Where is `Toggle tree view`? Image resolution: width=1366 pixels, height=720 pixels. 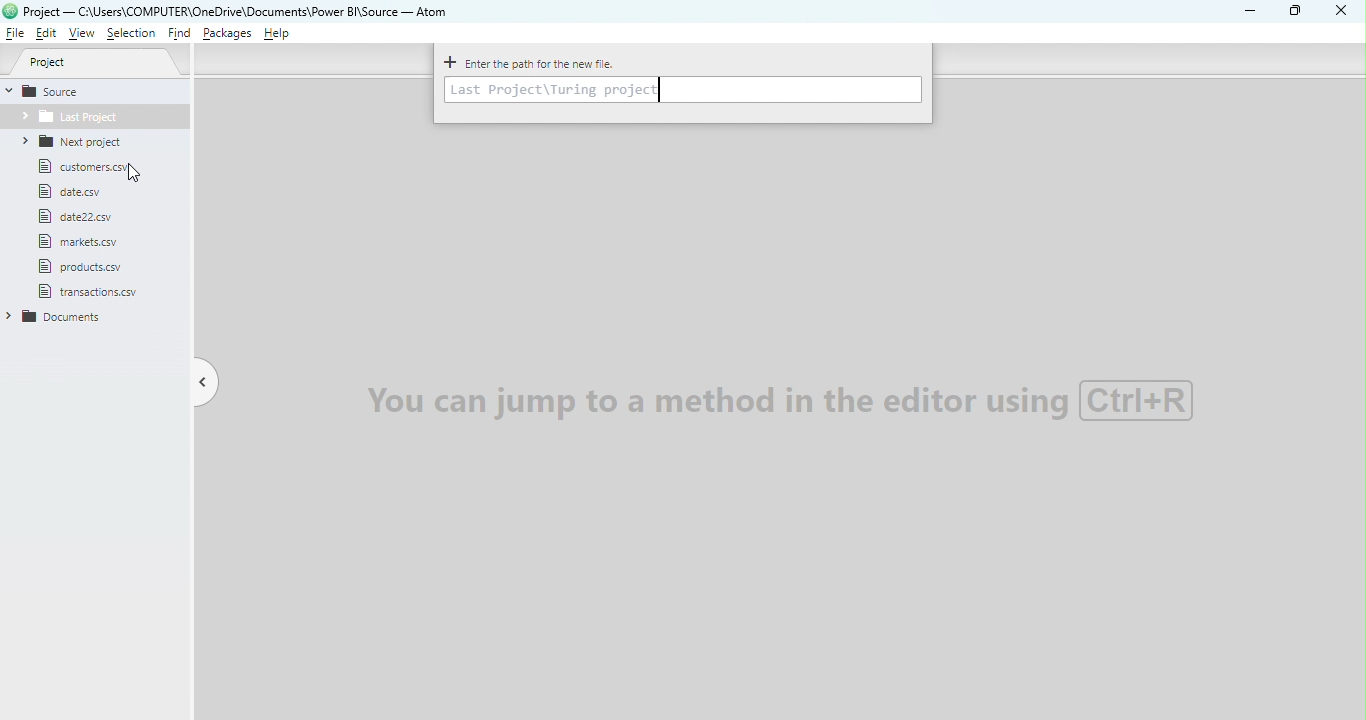
Toggle tree view is located at coordinates (206, 383).